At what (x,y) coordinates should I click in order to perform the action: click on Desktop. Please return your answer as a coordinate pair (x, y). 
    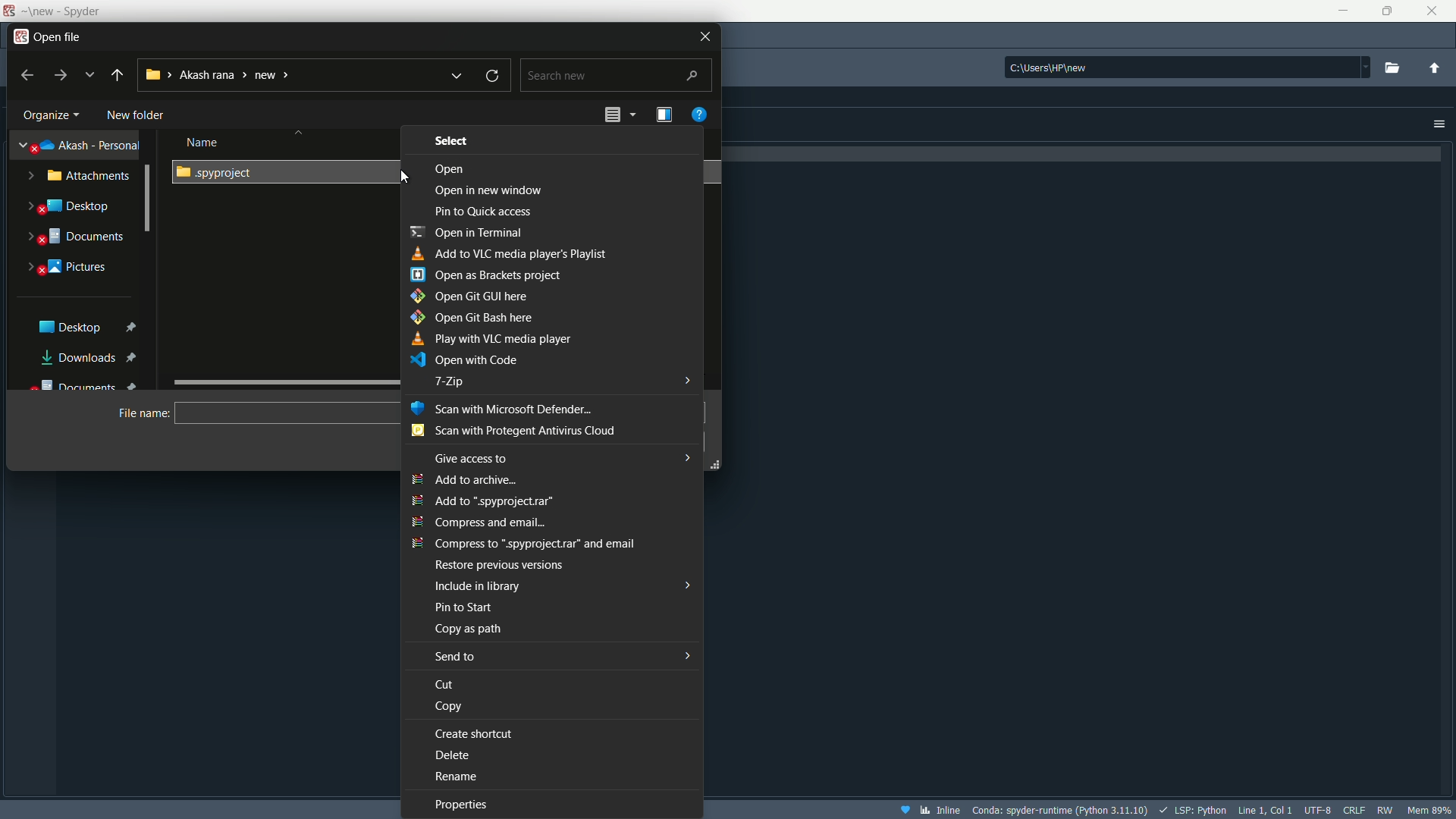
    Looking at the image, I should click on (85, 327).